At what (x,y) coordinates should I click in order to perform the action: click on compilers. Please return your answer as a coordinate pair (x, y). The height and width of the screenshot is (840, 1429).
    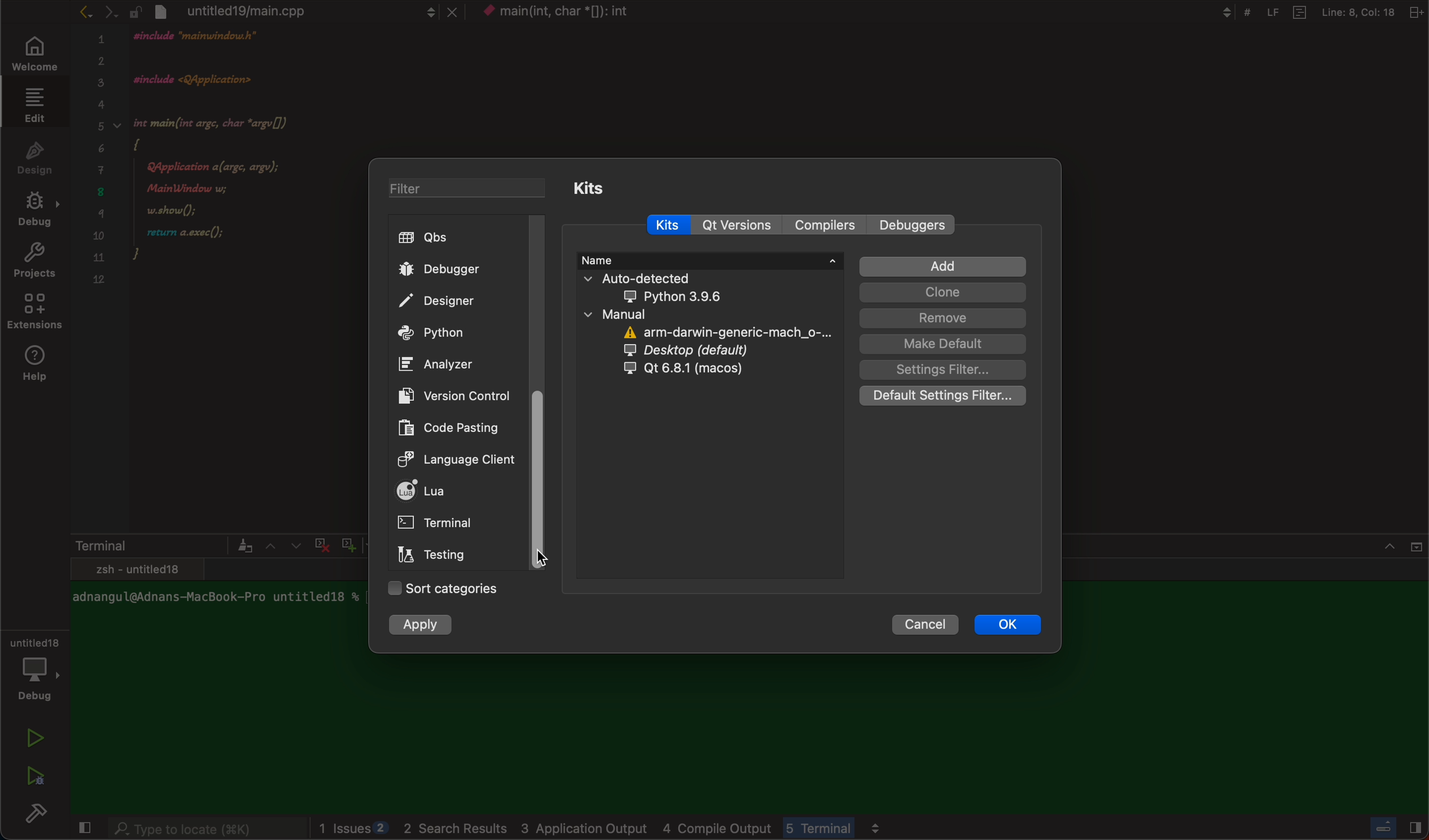
    Looking at the image, I should click on (824, 226).